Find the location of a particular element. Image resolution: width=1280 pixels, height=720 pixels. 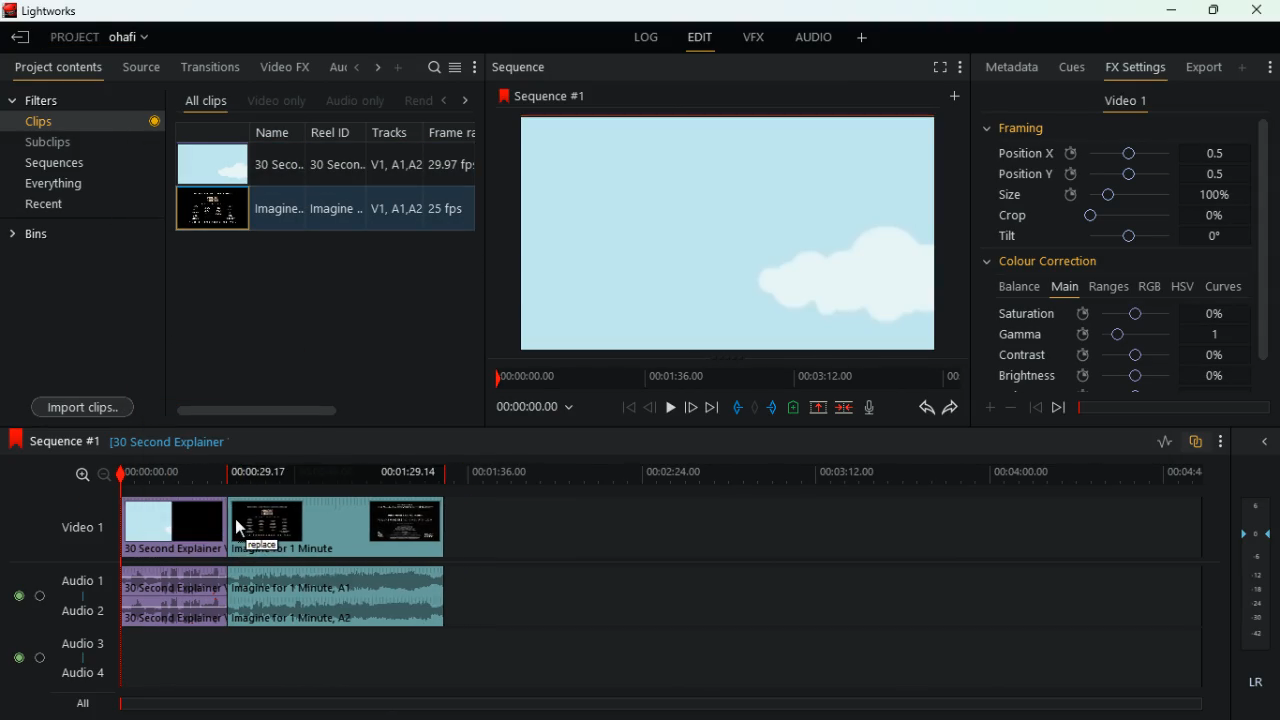

sequence is located at coordinates (55, 442).